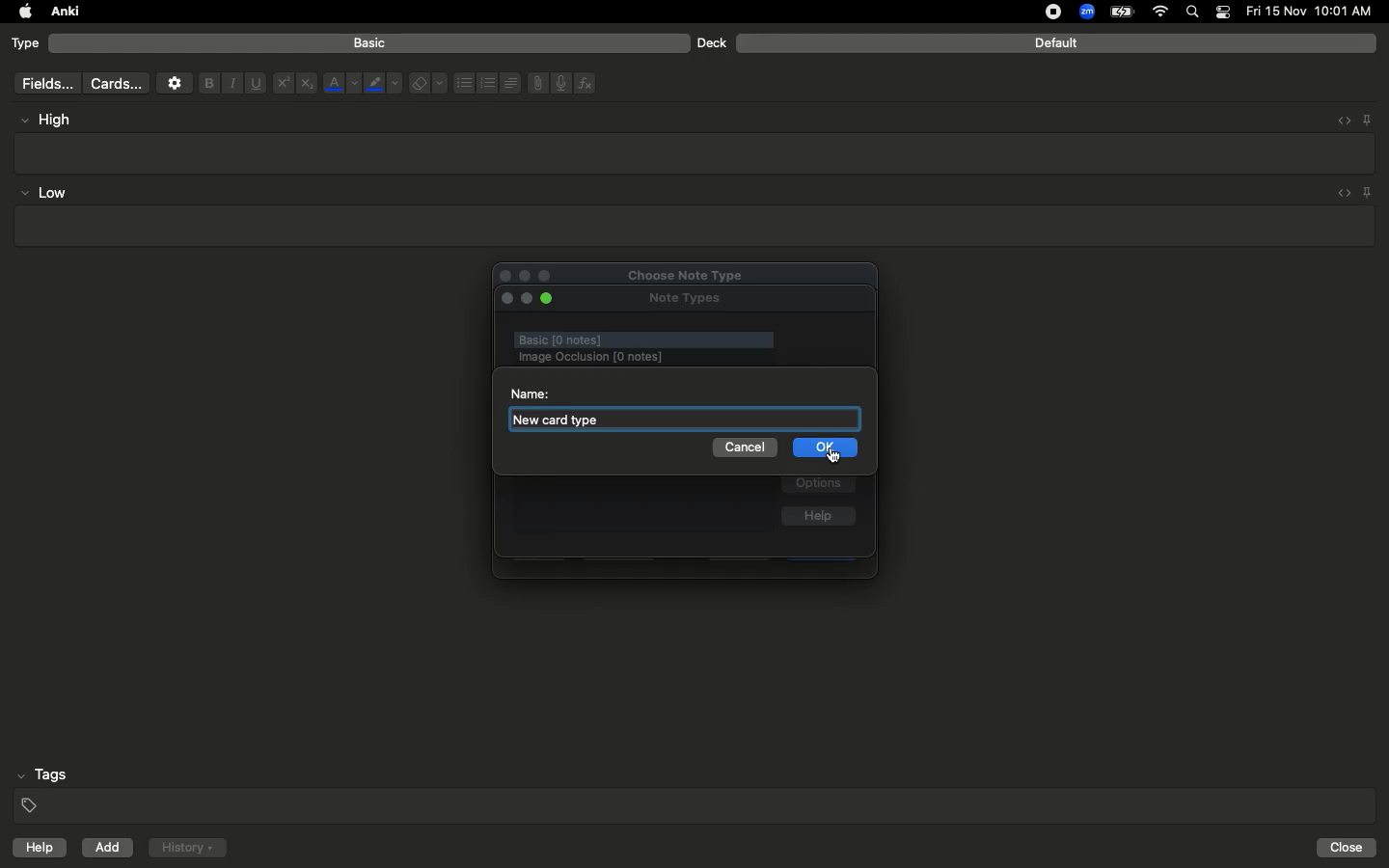 Image resolution: width=1389 pixels, height=868 pixels. Describe the element at coordinates (340, 83) in the screenshot. I see `Font color` at that location.